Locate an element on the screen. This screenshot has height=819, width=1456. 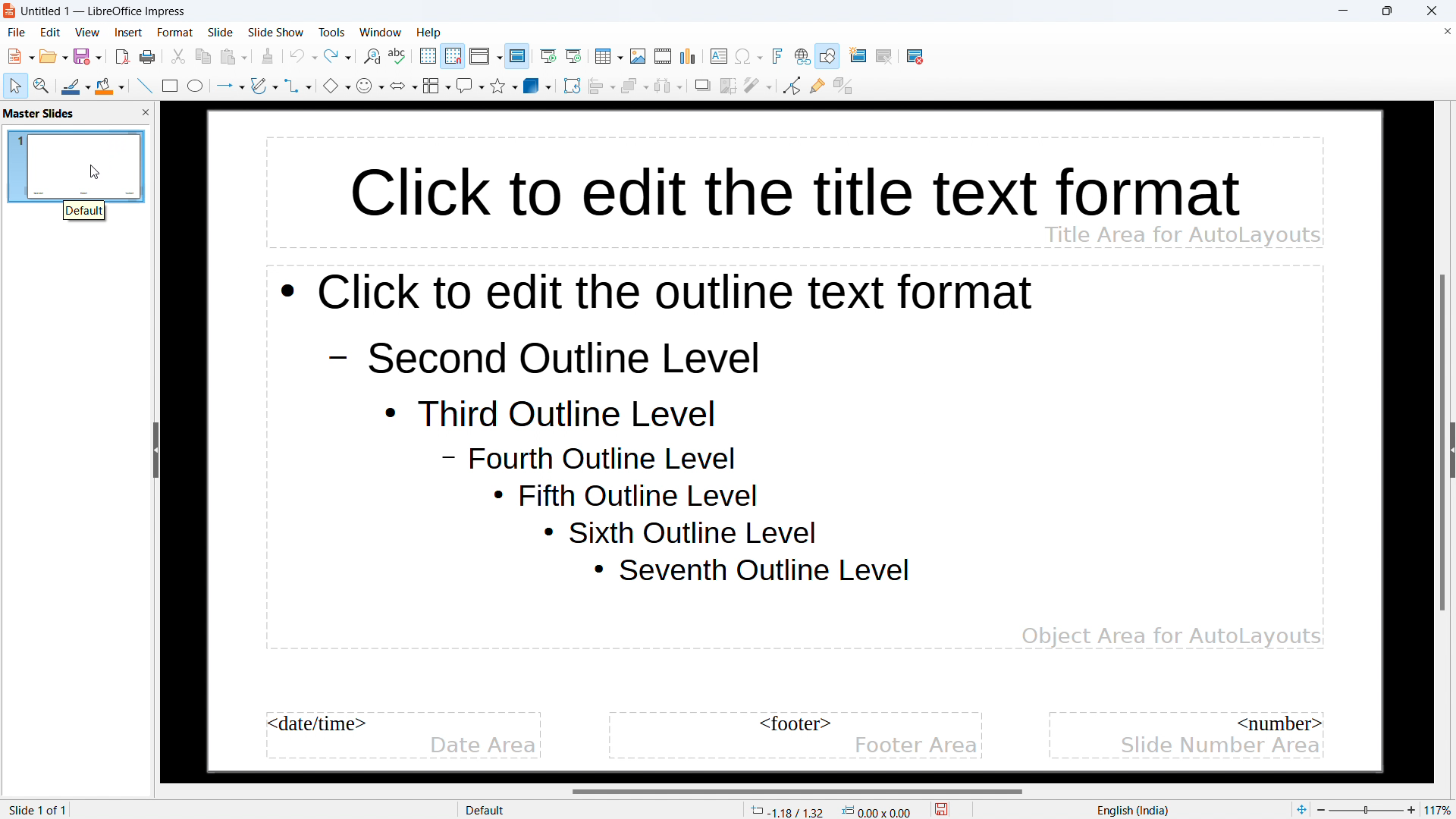
cursor is located at coordinates (96, 172).